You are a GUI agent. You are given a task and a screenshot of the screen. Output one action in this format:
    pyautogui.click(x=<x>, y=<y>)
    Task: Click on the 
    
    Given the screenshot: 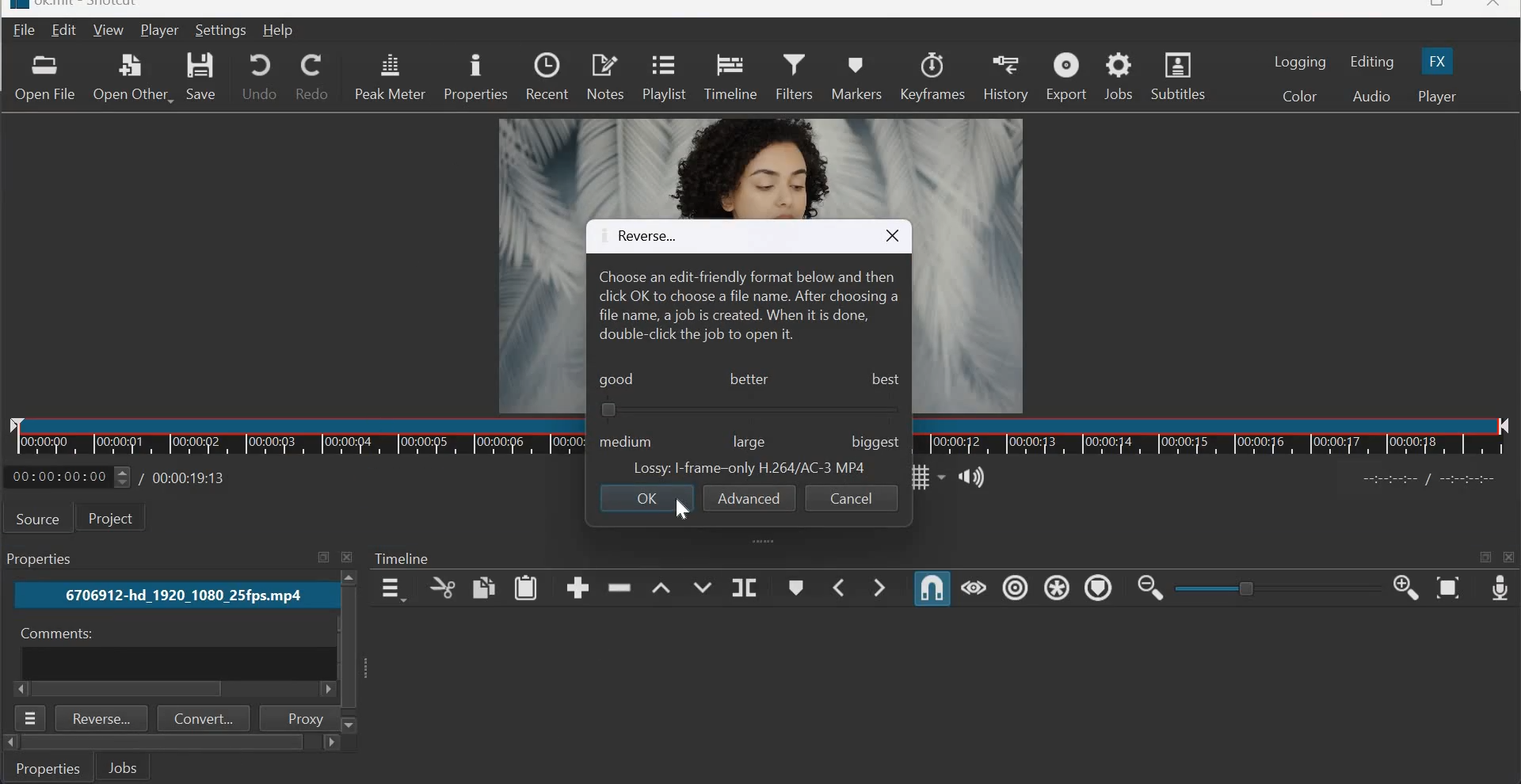 What is the action you would take?
    pyautogui.click(x=347, y=647)
    